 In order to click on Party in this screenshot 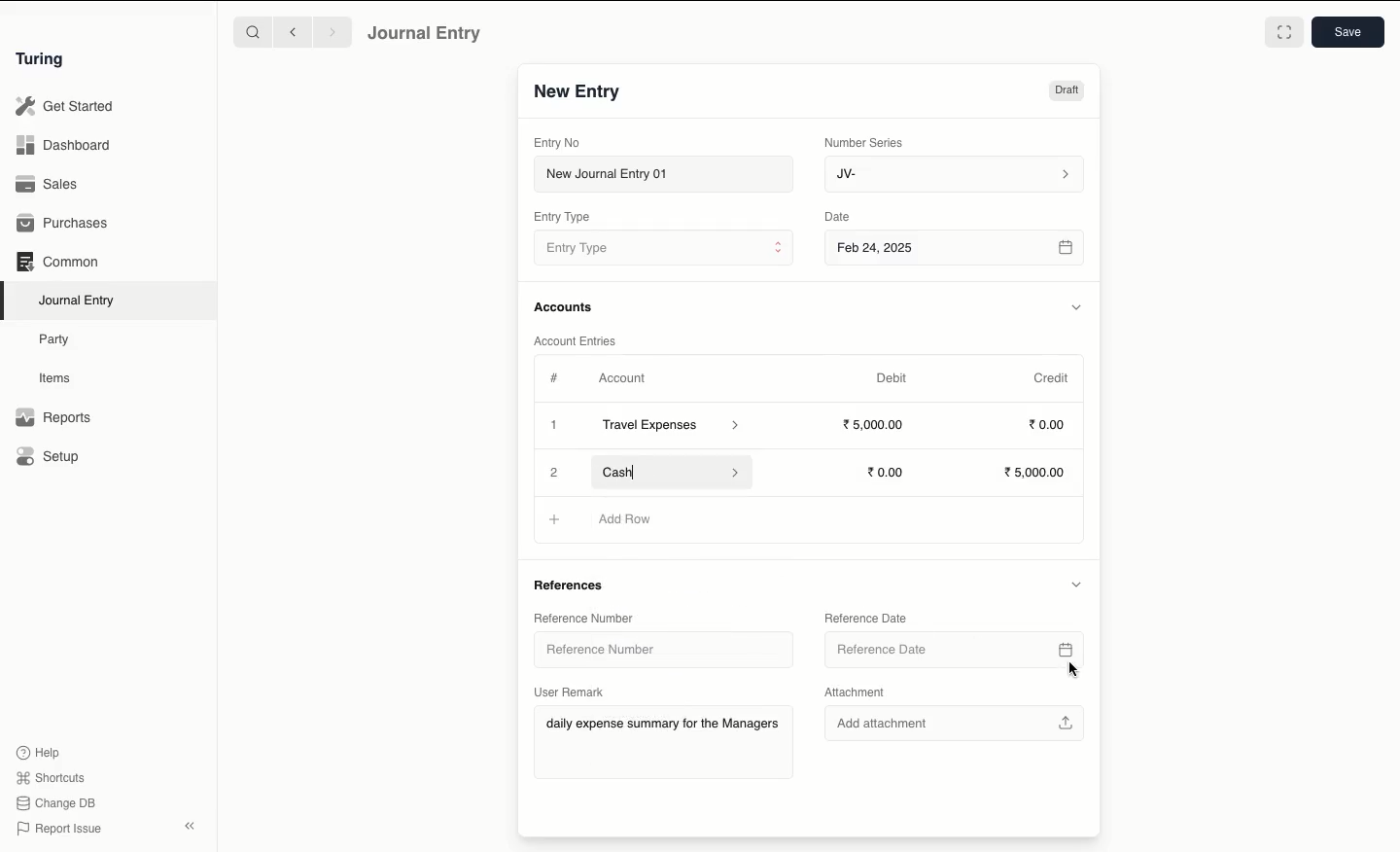, I will do `click(59, 340)`.